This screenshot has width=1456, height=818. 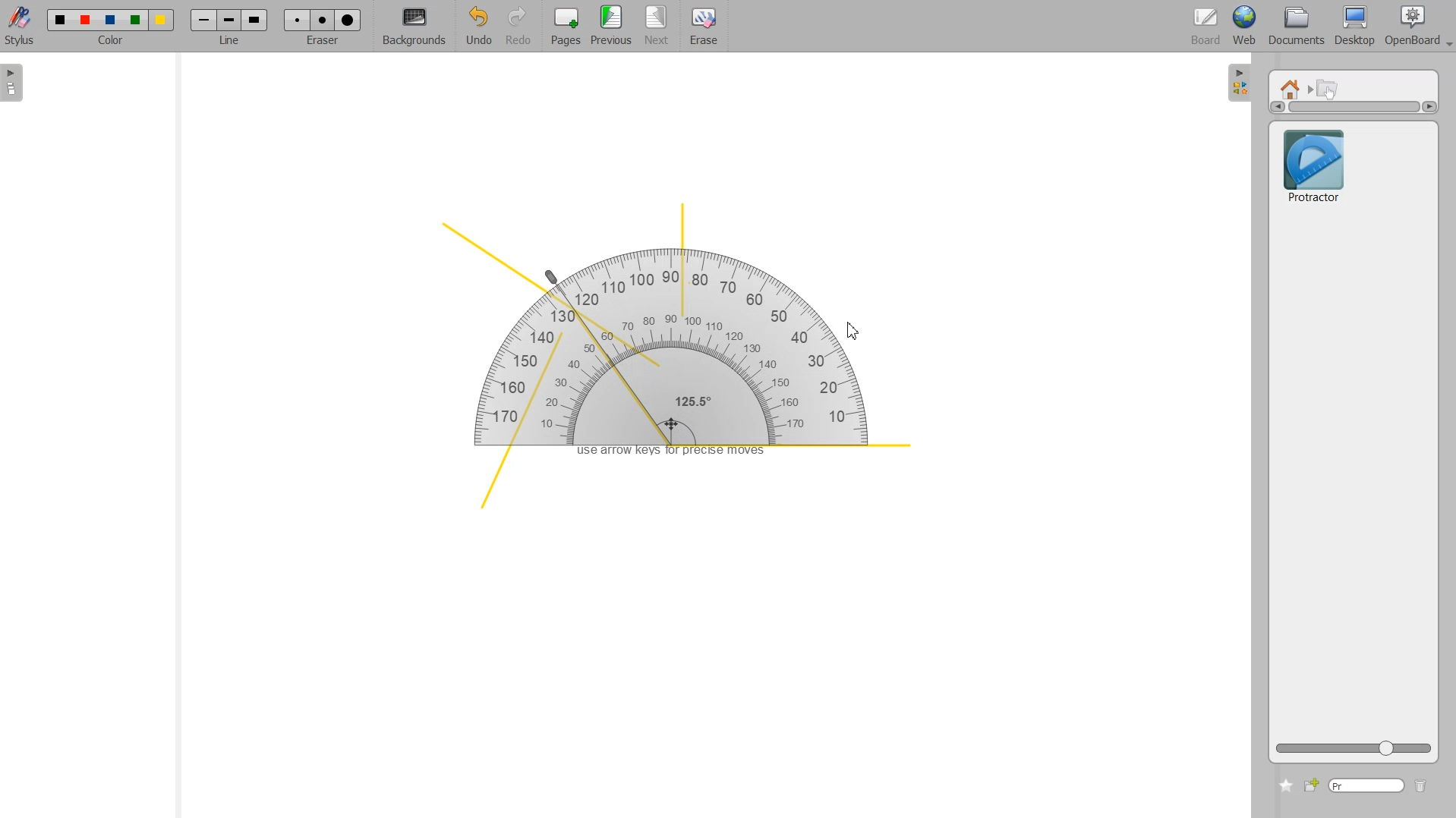 What do you see at coordinates (112, 42) in the screenshot?
I see `color` at bounding box center [112, 42].